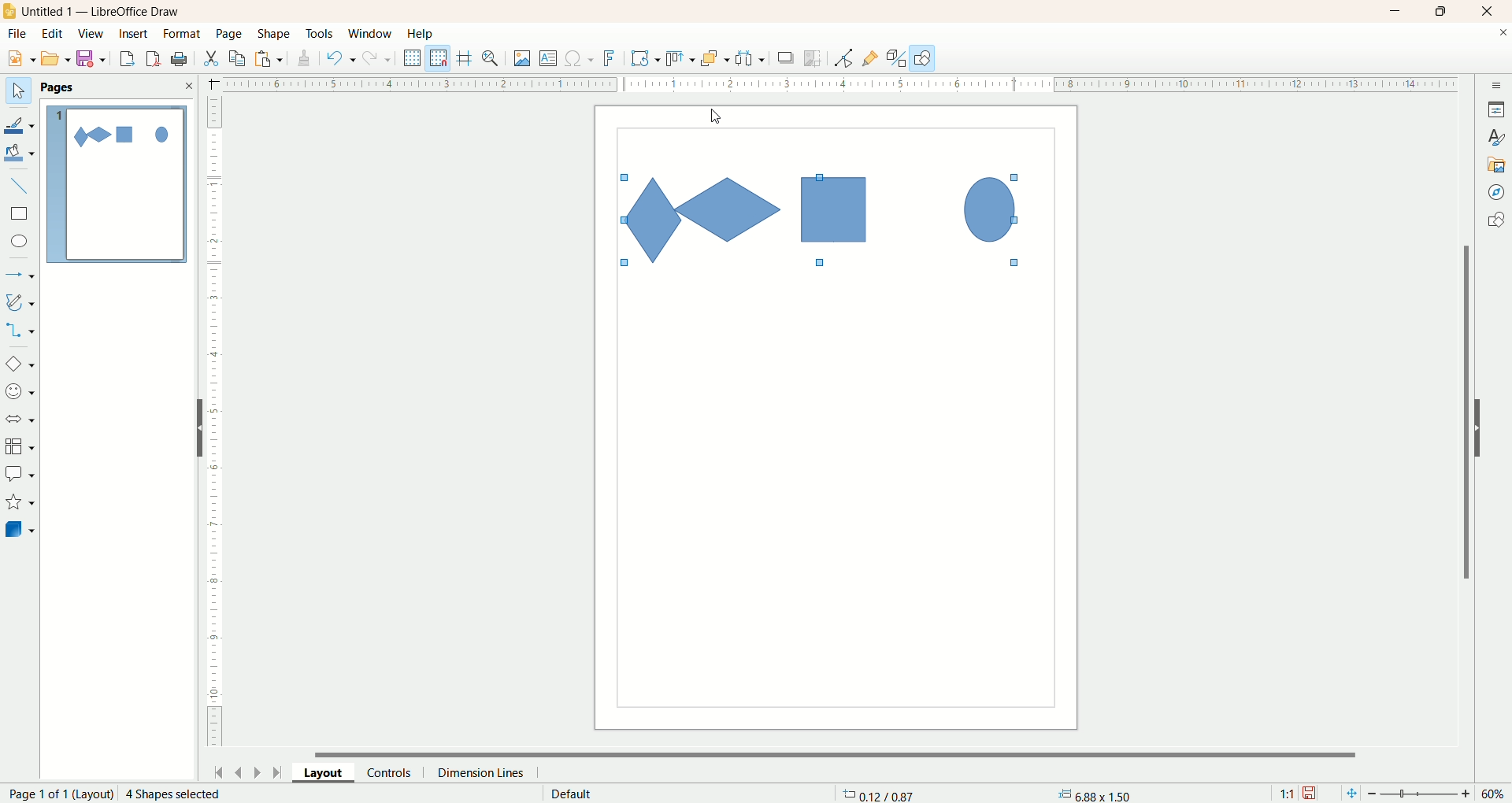 This screenshot has width=1512, height=803. What do you see at coordinates (716, 57) in the screenshot?
I see `arrange` at bounding box center [716, 57].